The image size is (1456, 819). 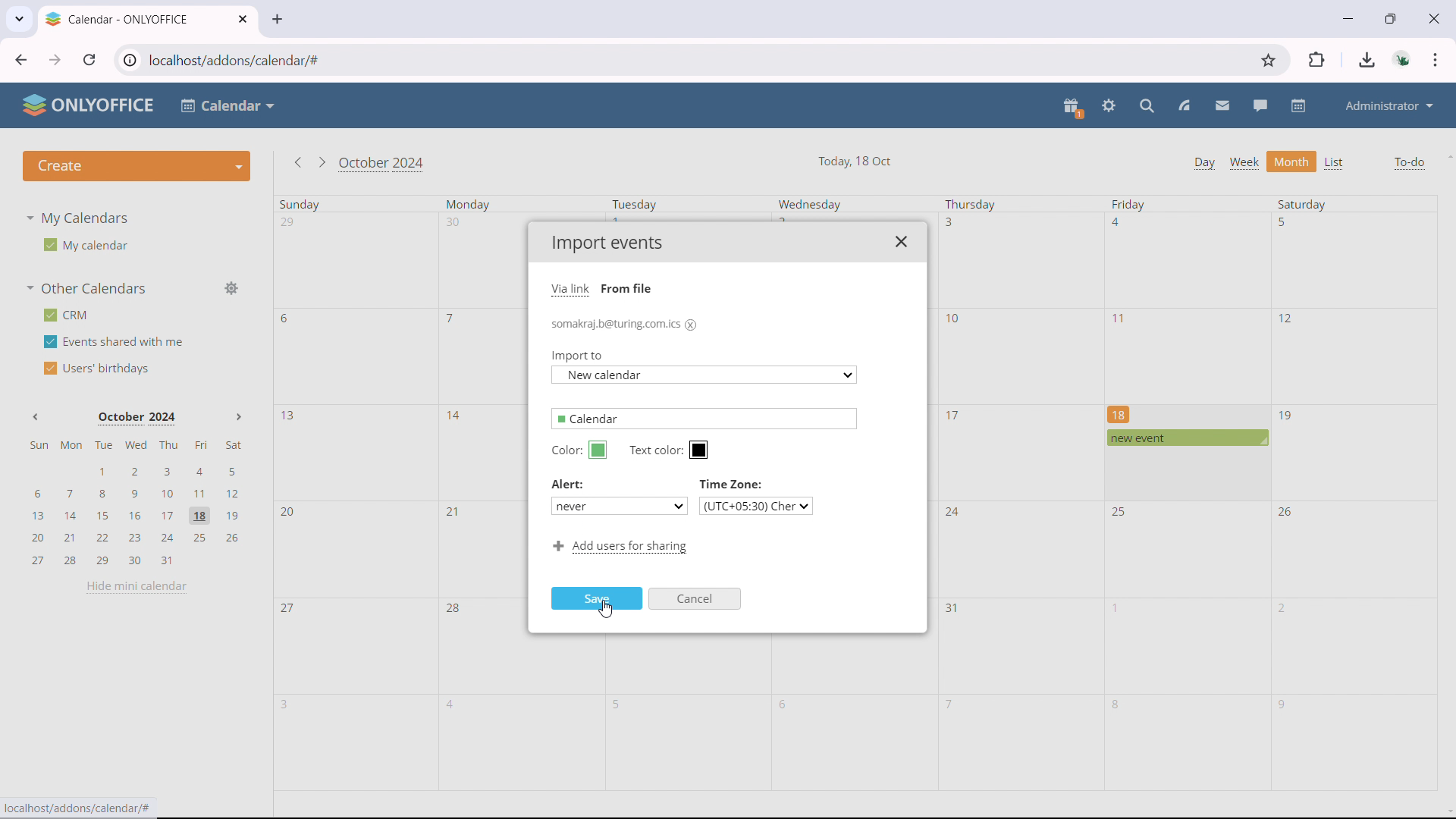 What do you see at coordinates (1367, 60) in the screenshot?
I see `downloads` at bounding box center [1367, 60].